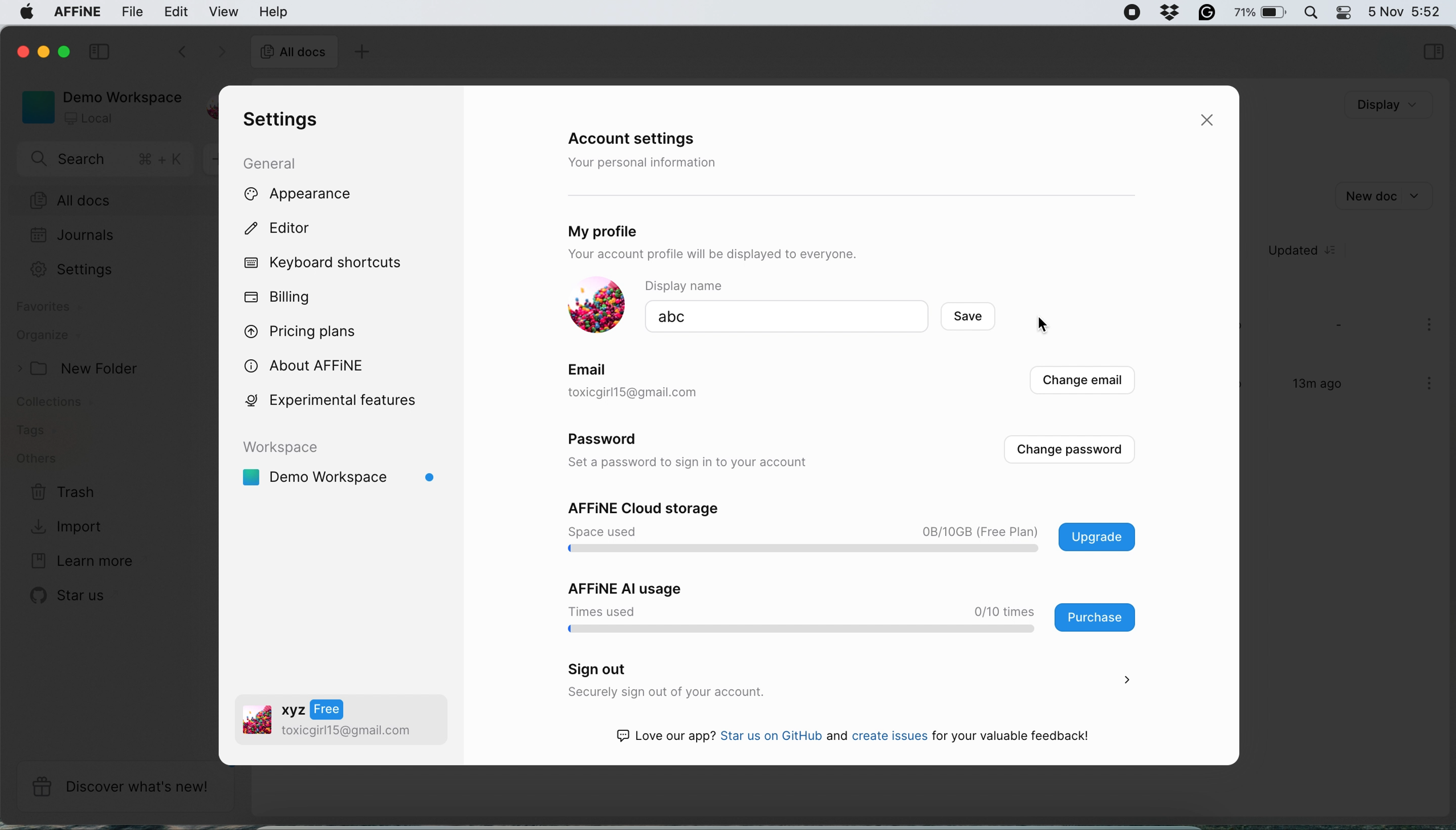 This screenshot has width=1456, height=830. Describe the element at coordinates (328, 263) in the screenshot. I see `keyboard shortcuts` at that location.